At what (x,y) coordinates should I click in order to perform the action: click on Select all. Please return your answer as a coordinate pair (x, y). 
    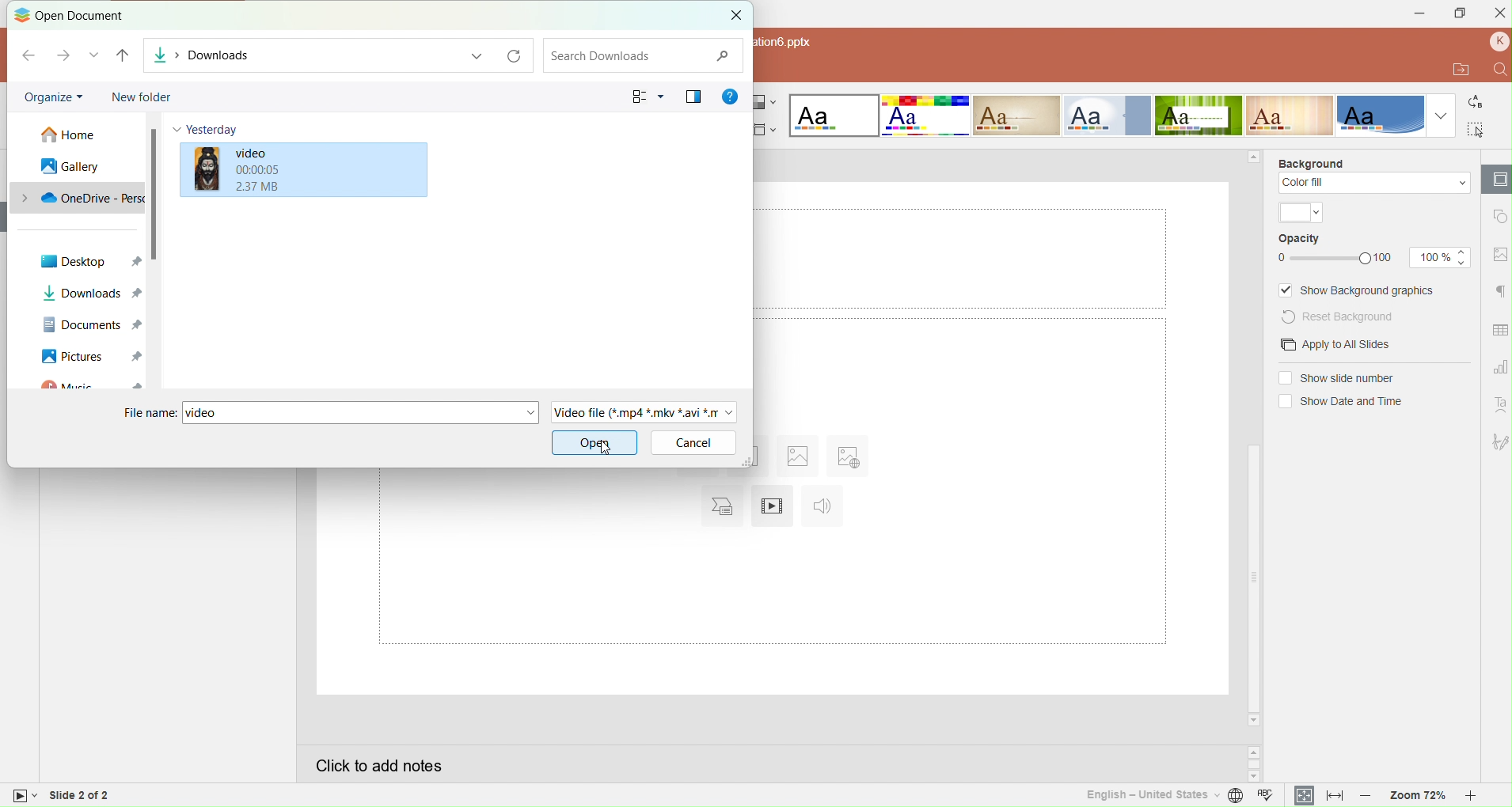
    Looking at the image, I should click on (1477, 127).